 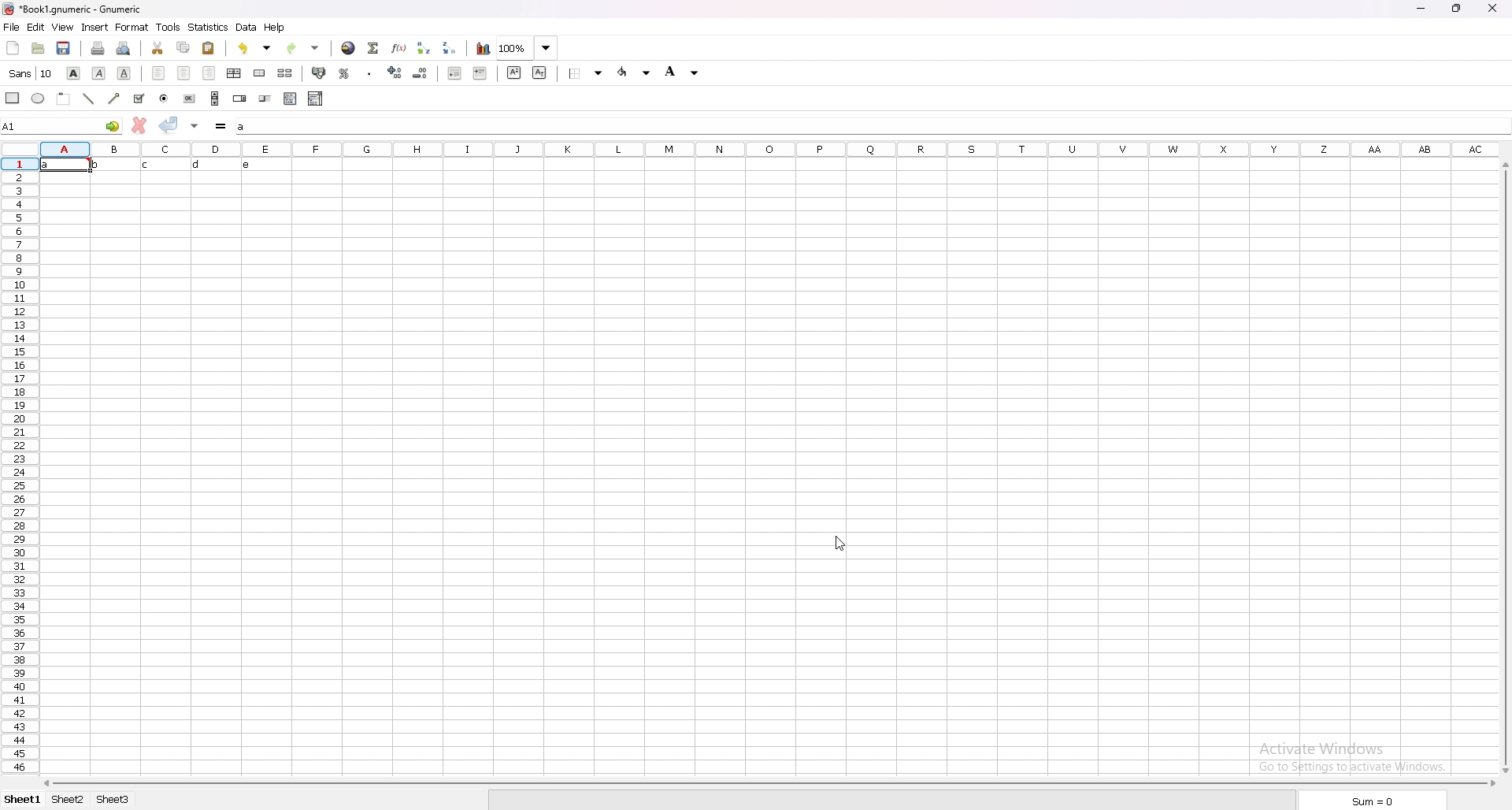 I want to click on formula, so click(x=221, y=126).